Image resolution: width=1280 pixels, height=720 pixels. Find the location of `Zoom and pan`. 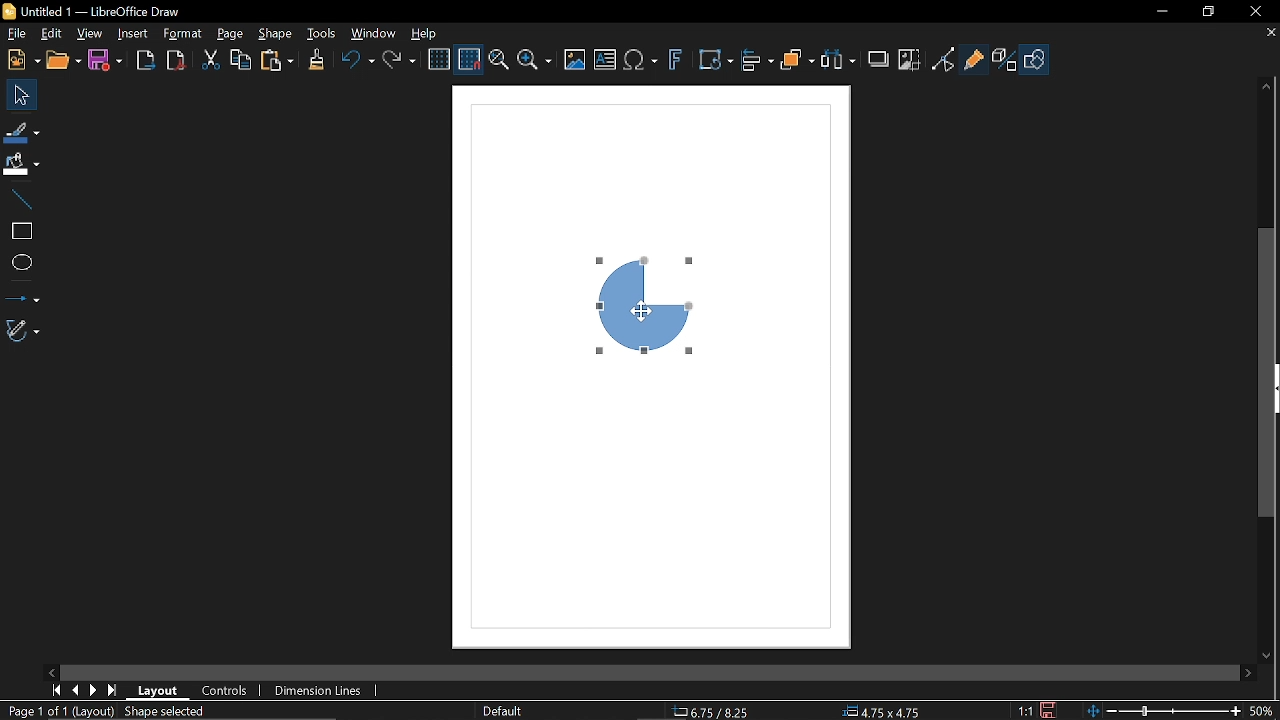

Zoom and pan is located at coordinates (498, 62).